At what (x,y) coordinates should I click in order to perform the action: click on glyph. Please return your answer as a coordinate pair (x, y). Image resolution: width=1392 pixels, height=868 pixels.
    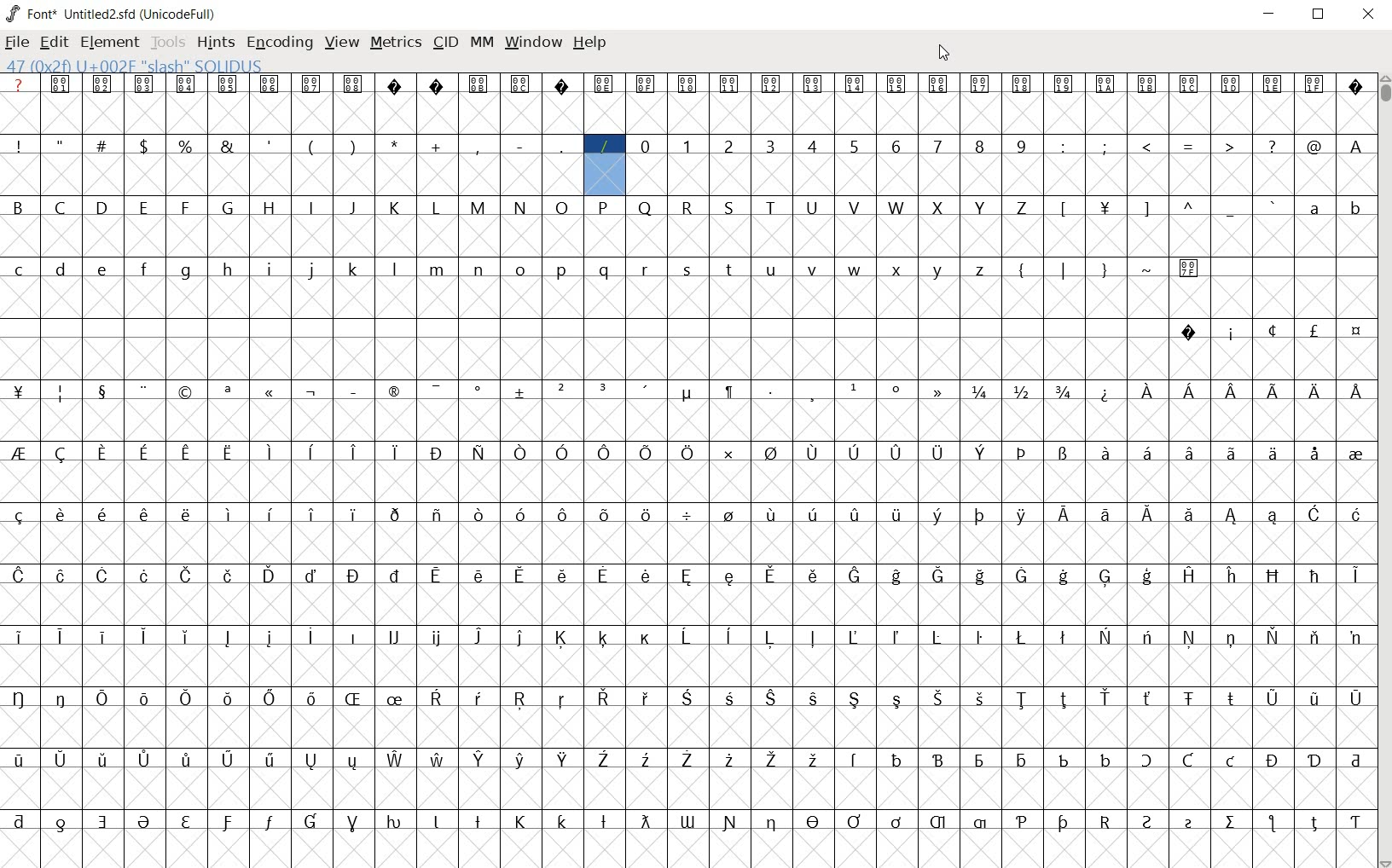
    Looking at the image, I should click on (647, 639).